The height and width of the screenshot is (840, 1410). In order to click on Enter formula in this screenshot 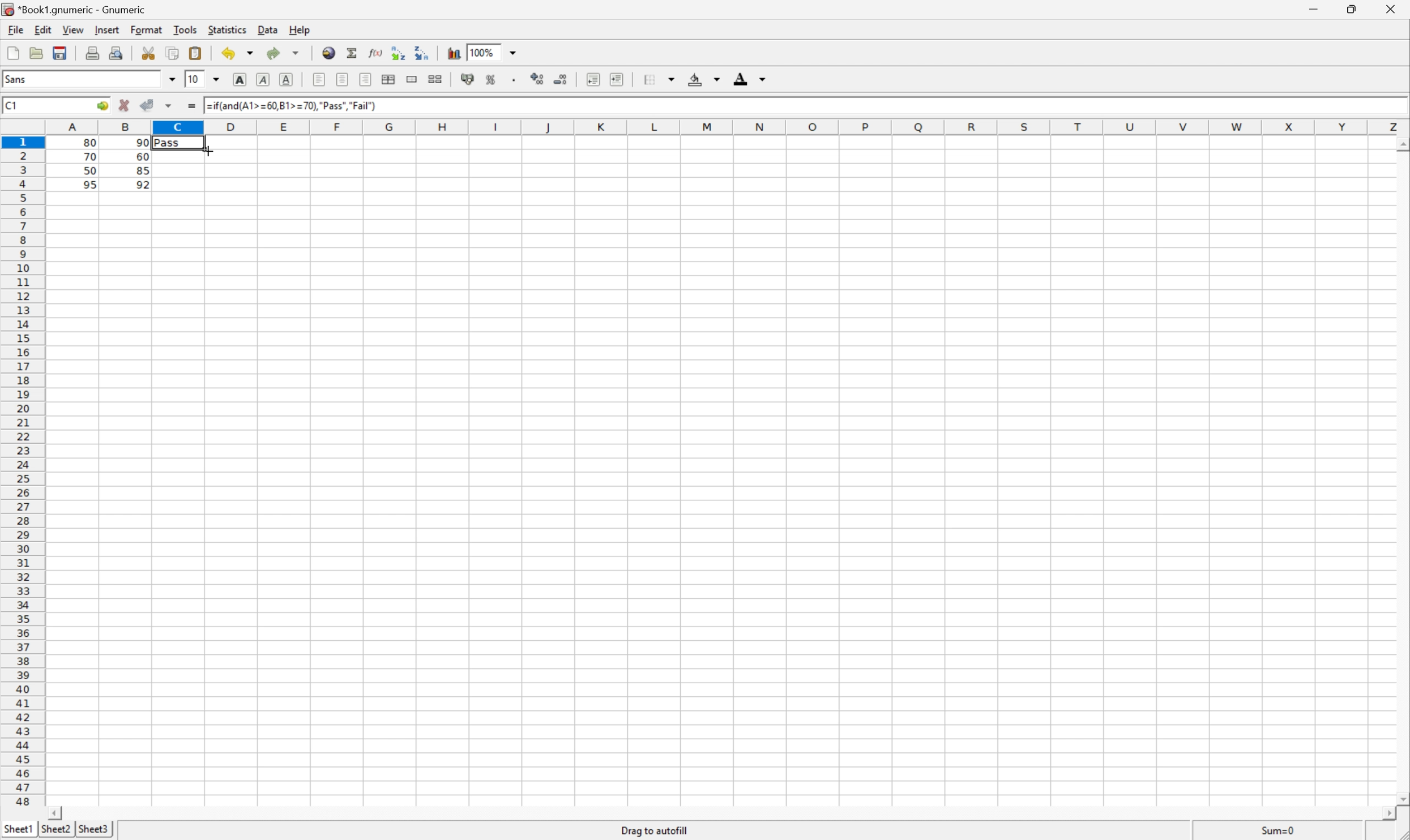, I will do `click(191, 106)`.